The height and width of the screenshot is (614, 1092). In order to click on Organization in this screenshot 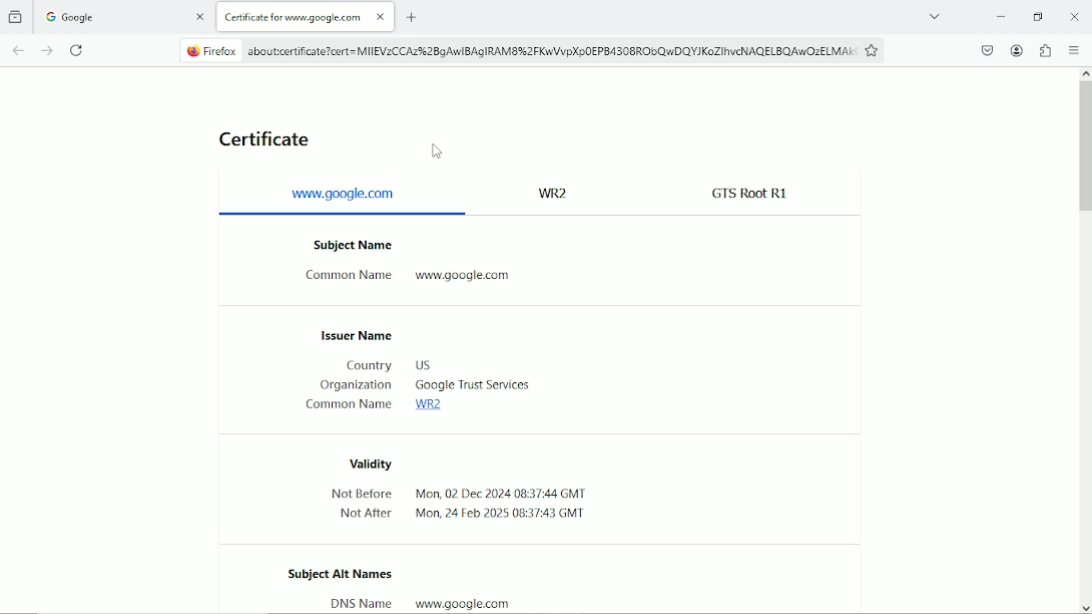, I will do `click(355, 386)`.